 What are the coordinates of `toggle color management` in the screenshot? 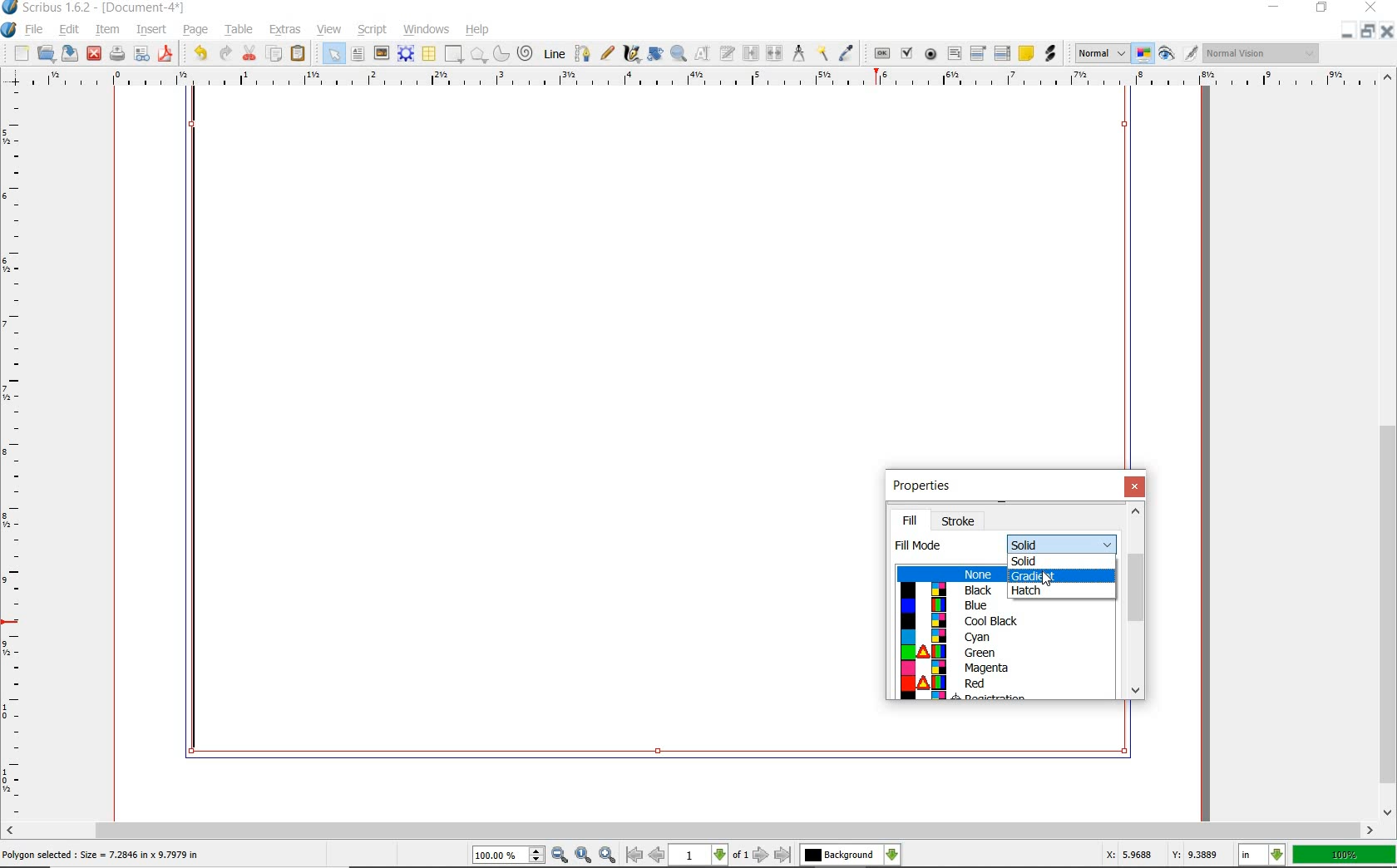 It's located at (1144, 55).